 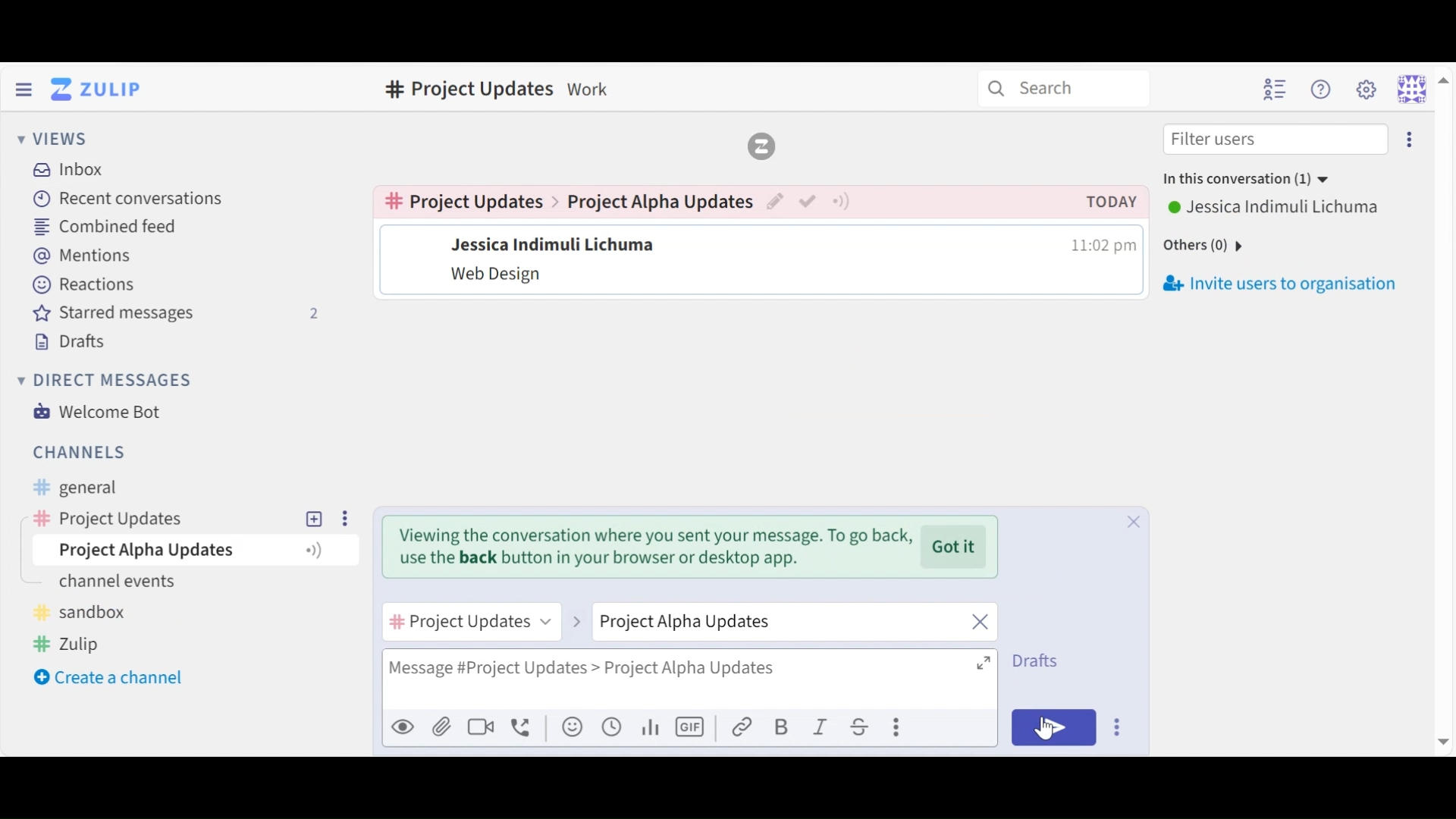 What do you see at coordinates (1119, 726) in the screenshot?
I see `Send Options` at bounding box center [1119, 726].